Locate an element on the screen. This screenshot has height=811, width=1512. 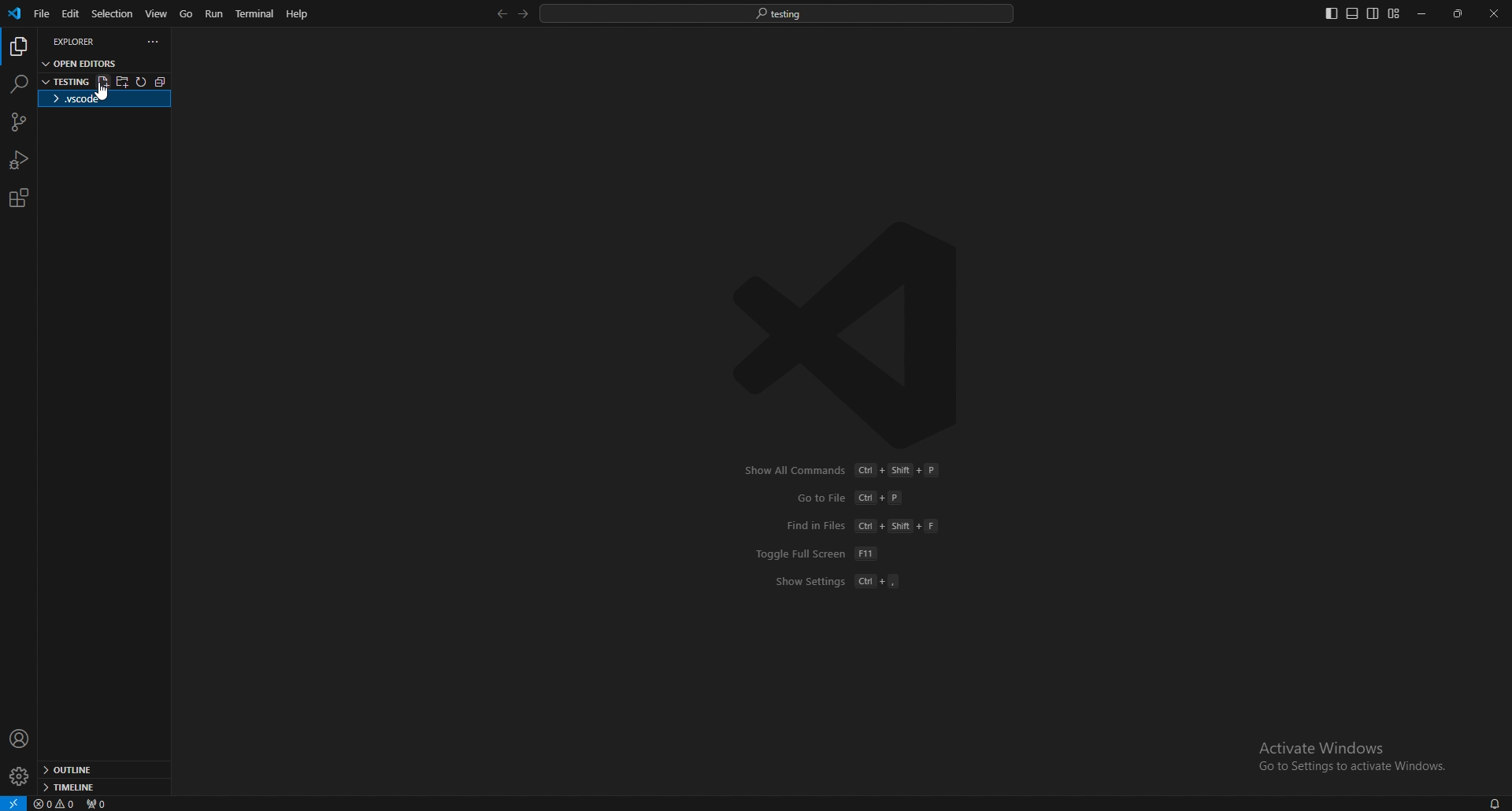
collapse is located at coordinates (165, 81).